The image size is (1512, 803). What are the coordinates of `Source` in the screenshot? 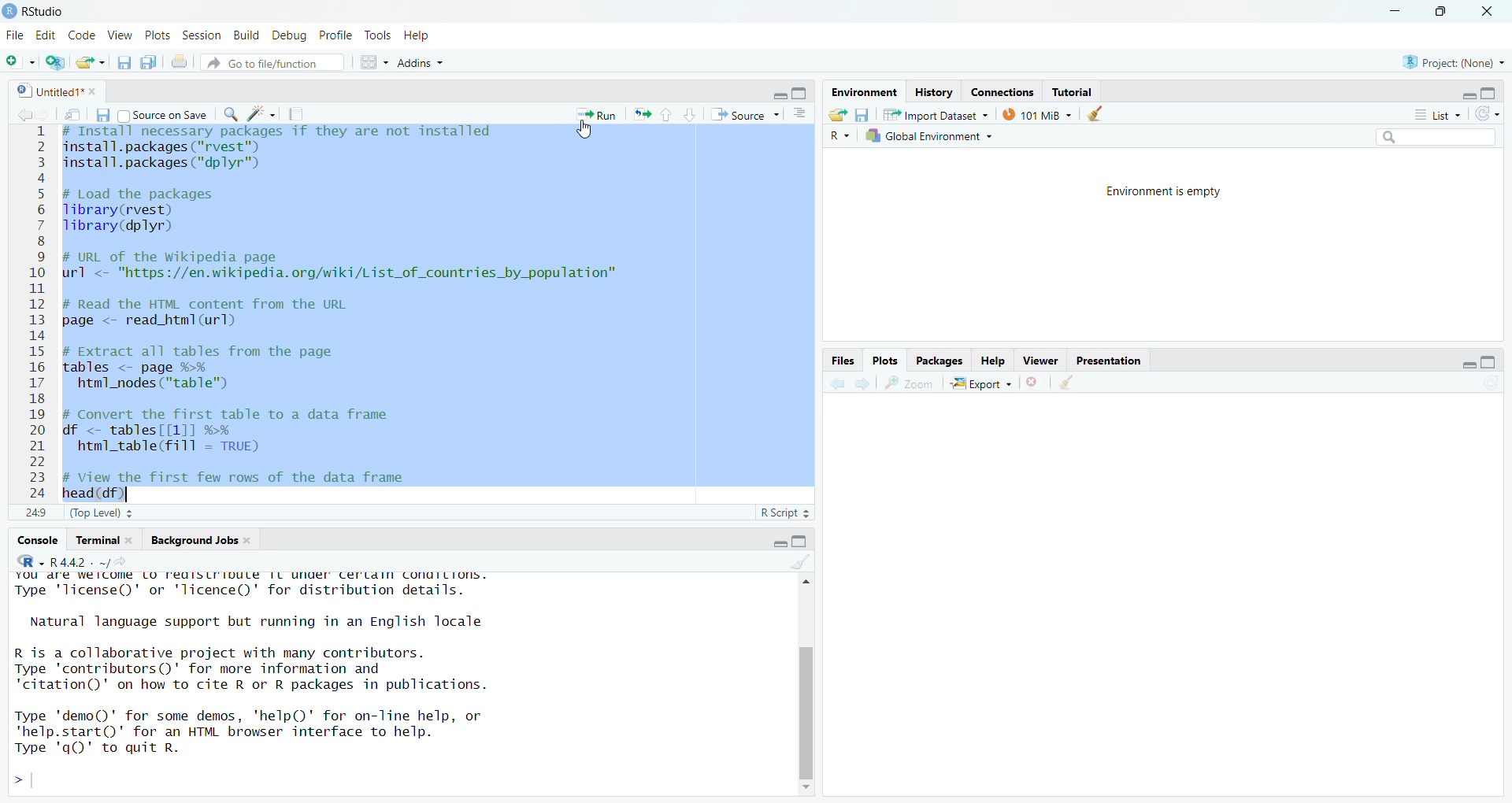 It's located at (745, 114).